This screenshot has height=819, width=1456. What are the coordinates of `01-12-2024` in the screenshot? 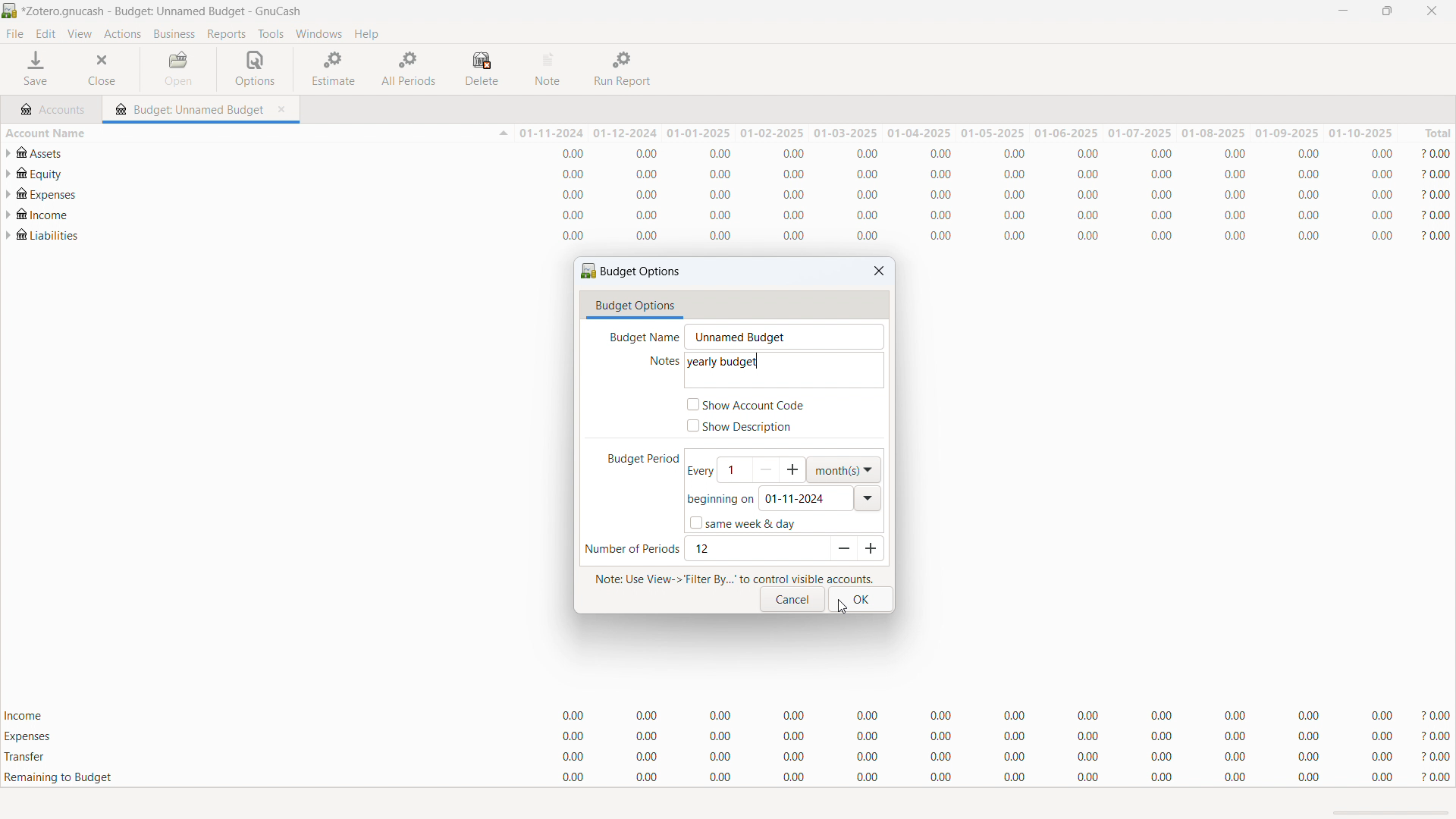 It's located at (628, 133).